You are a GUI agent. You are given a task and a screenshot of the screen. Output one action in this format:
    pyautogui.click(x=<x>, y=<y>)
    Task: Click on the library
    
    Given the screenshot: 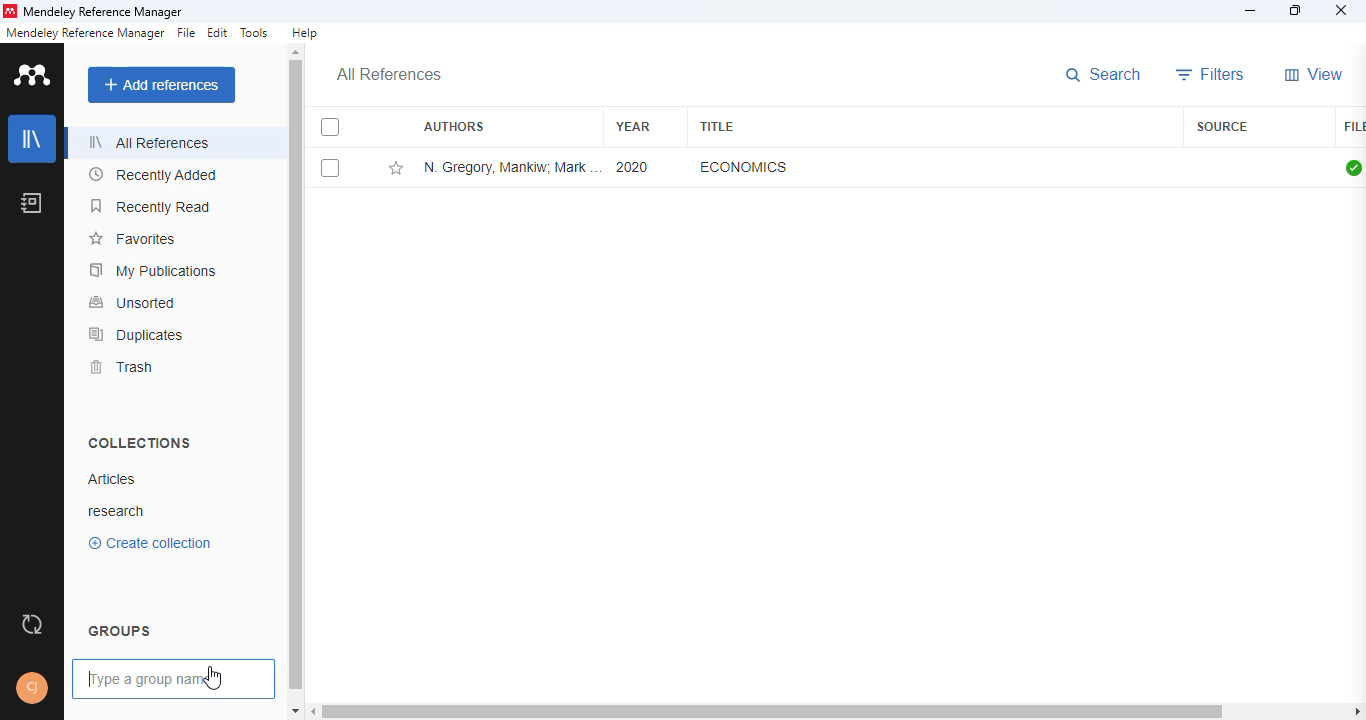 What is the action you would take?
    pyautogui.click(x=32, y=138)
    